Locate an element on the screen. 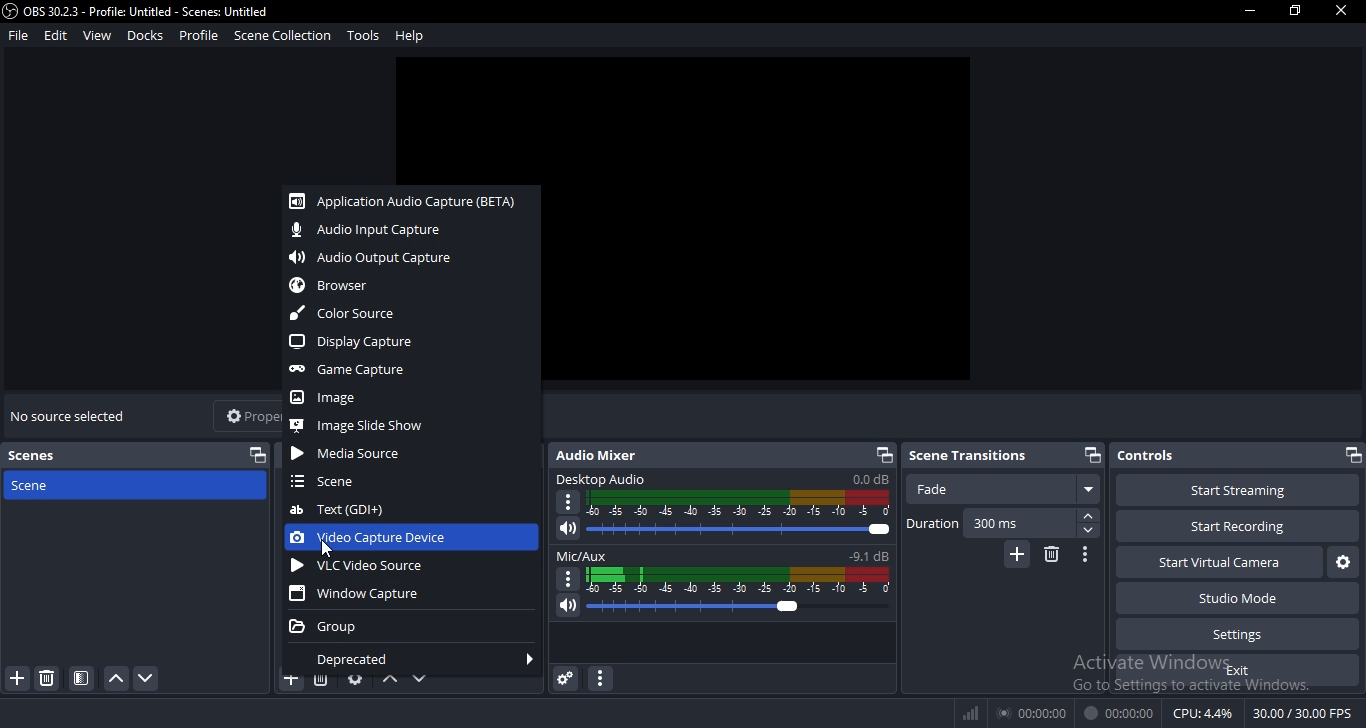  scene is located at coordinates (330, 482).